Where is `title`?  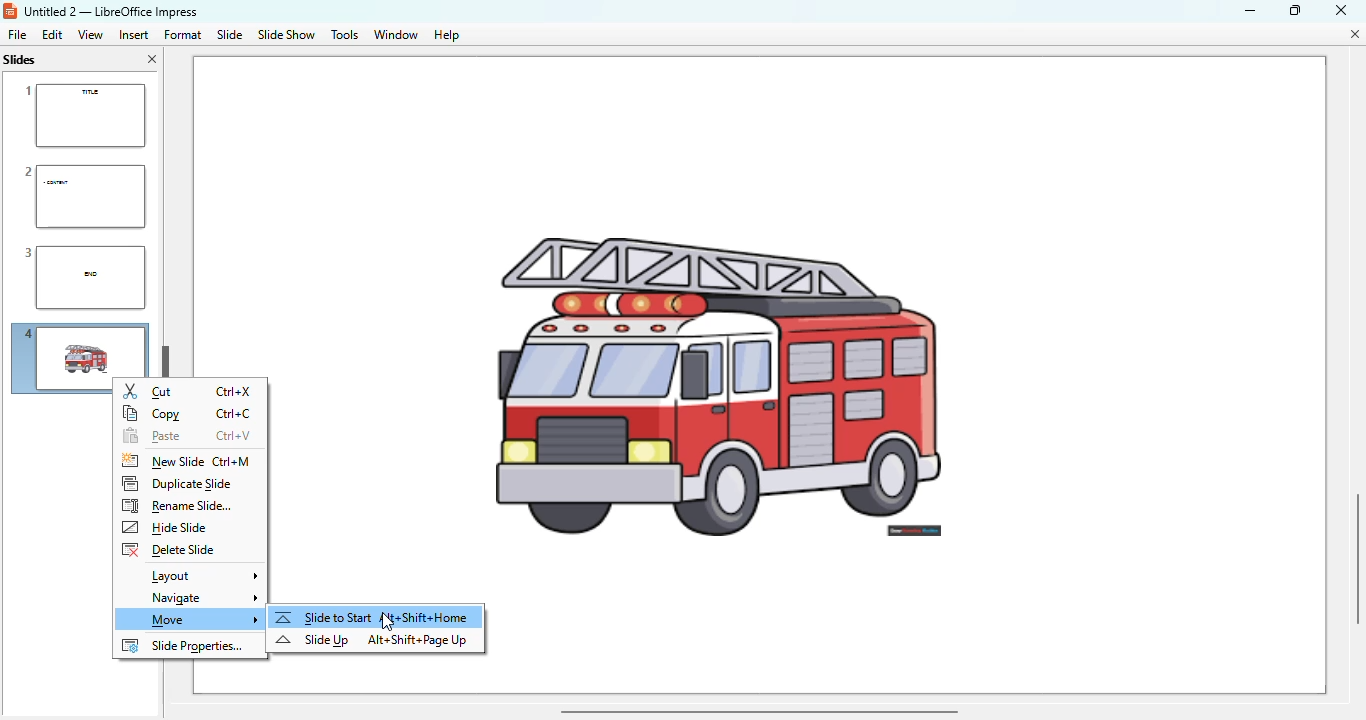
title is located at coordinates (110, 12).